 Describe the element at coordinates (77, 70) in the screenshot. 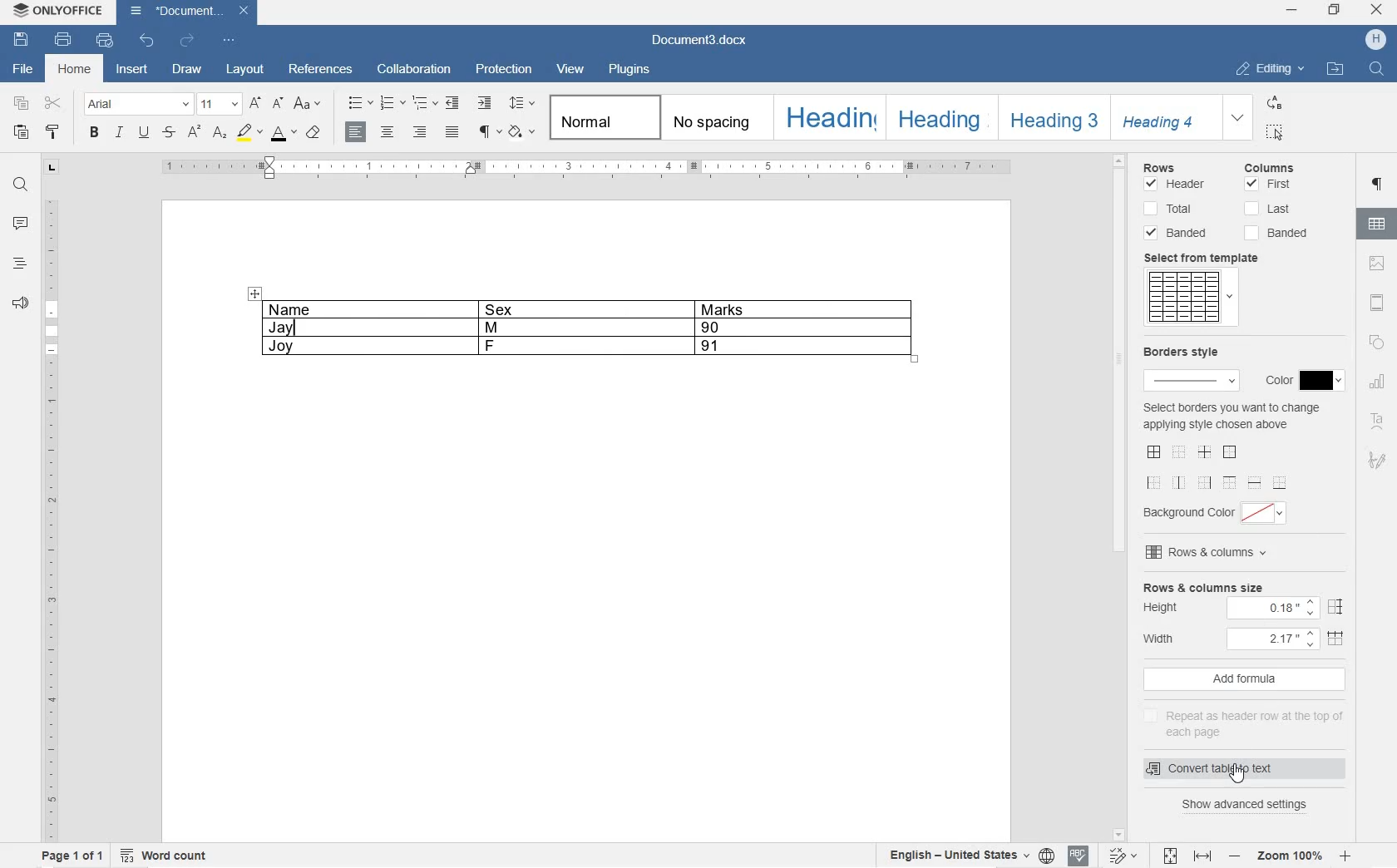

I see `HOME` at that location.